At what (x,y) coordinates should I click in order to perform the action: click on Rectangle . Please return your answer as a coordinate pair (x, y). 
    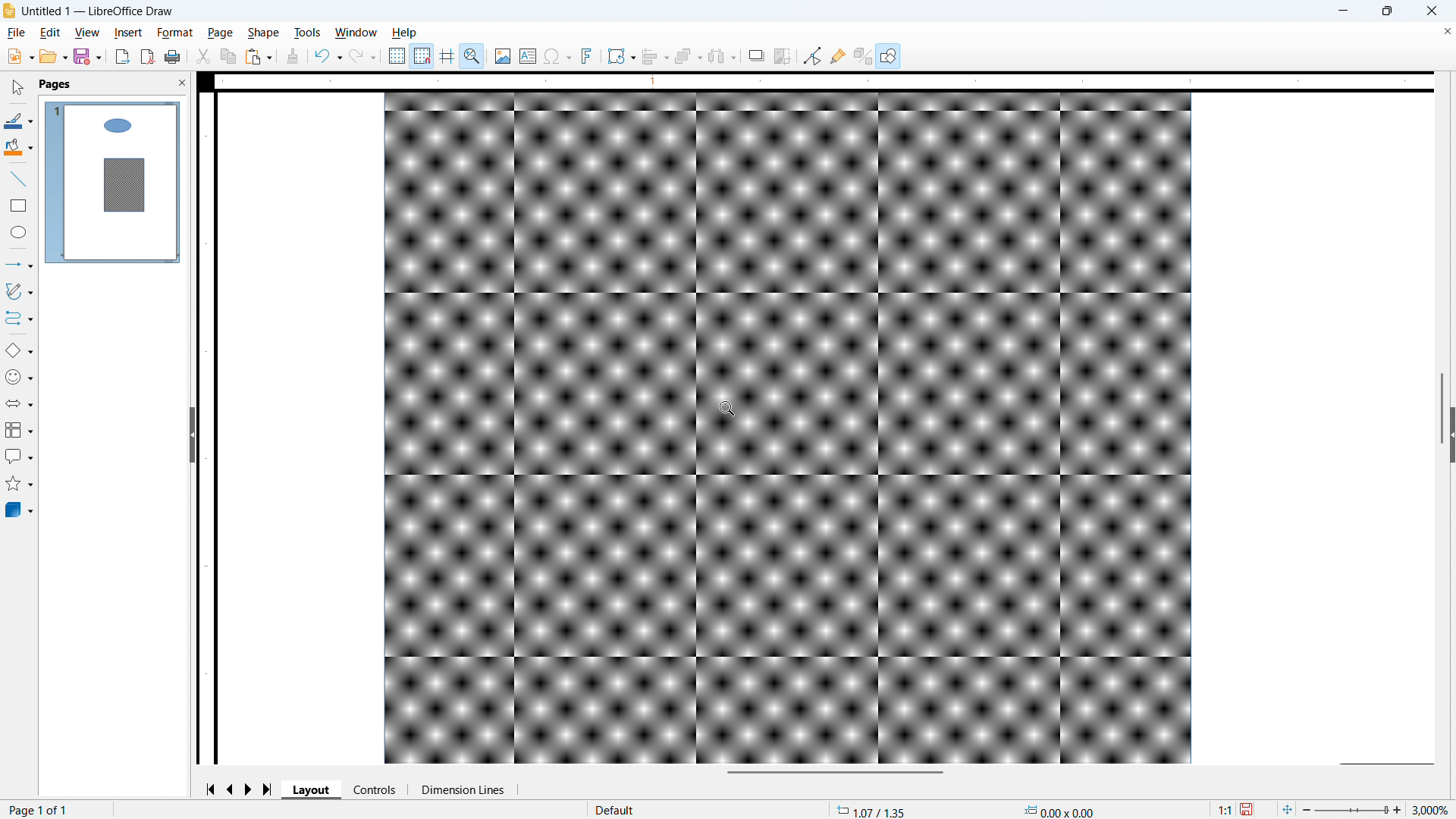
    Looking at the image, I should click on (19, 206).